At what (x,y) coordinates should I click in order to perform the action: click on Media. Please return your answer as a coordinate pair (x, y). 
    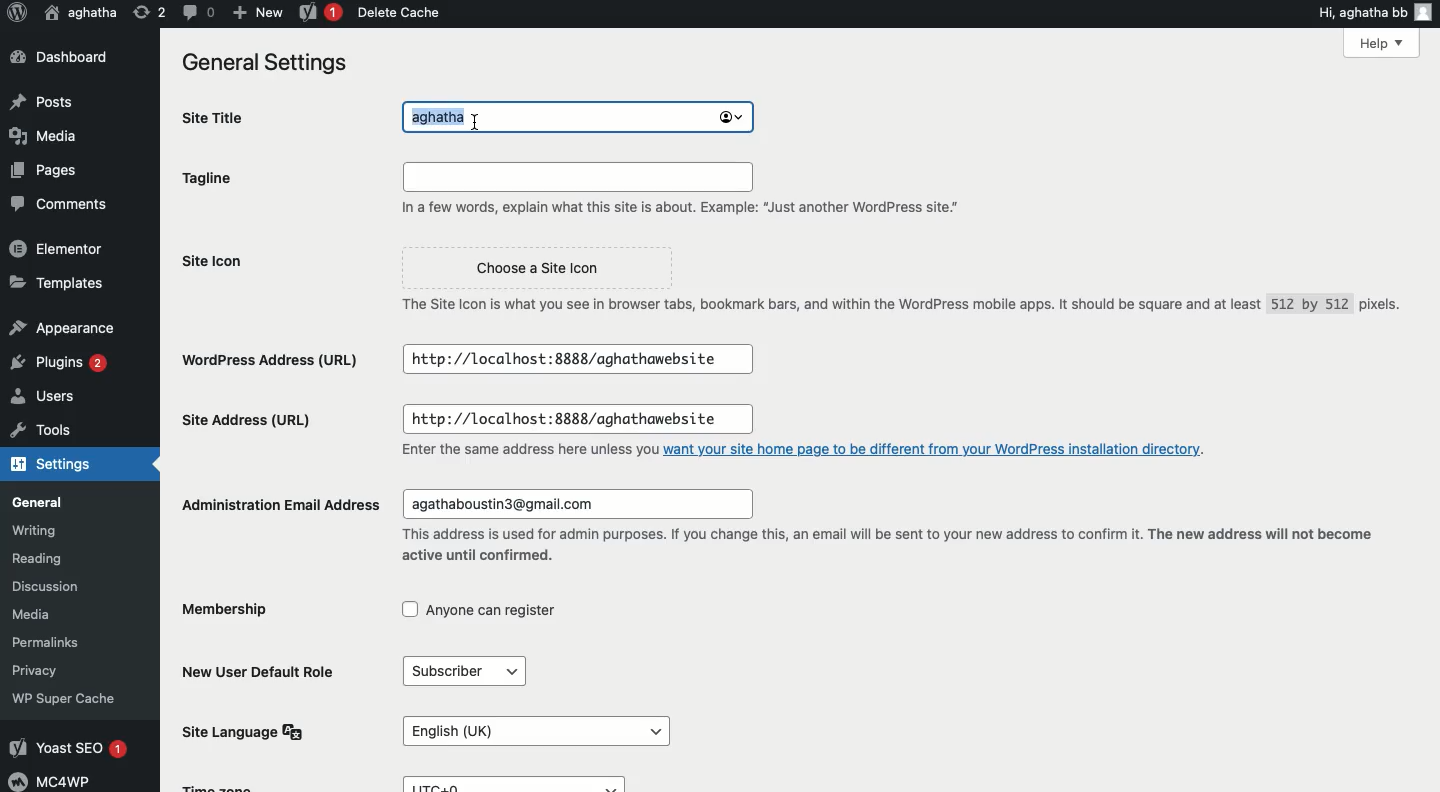
    Looking at the image, I should click on (34, 614).